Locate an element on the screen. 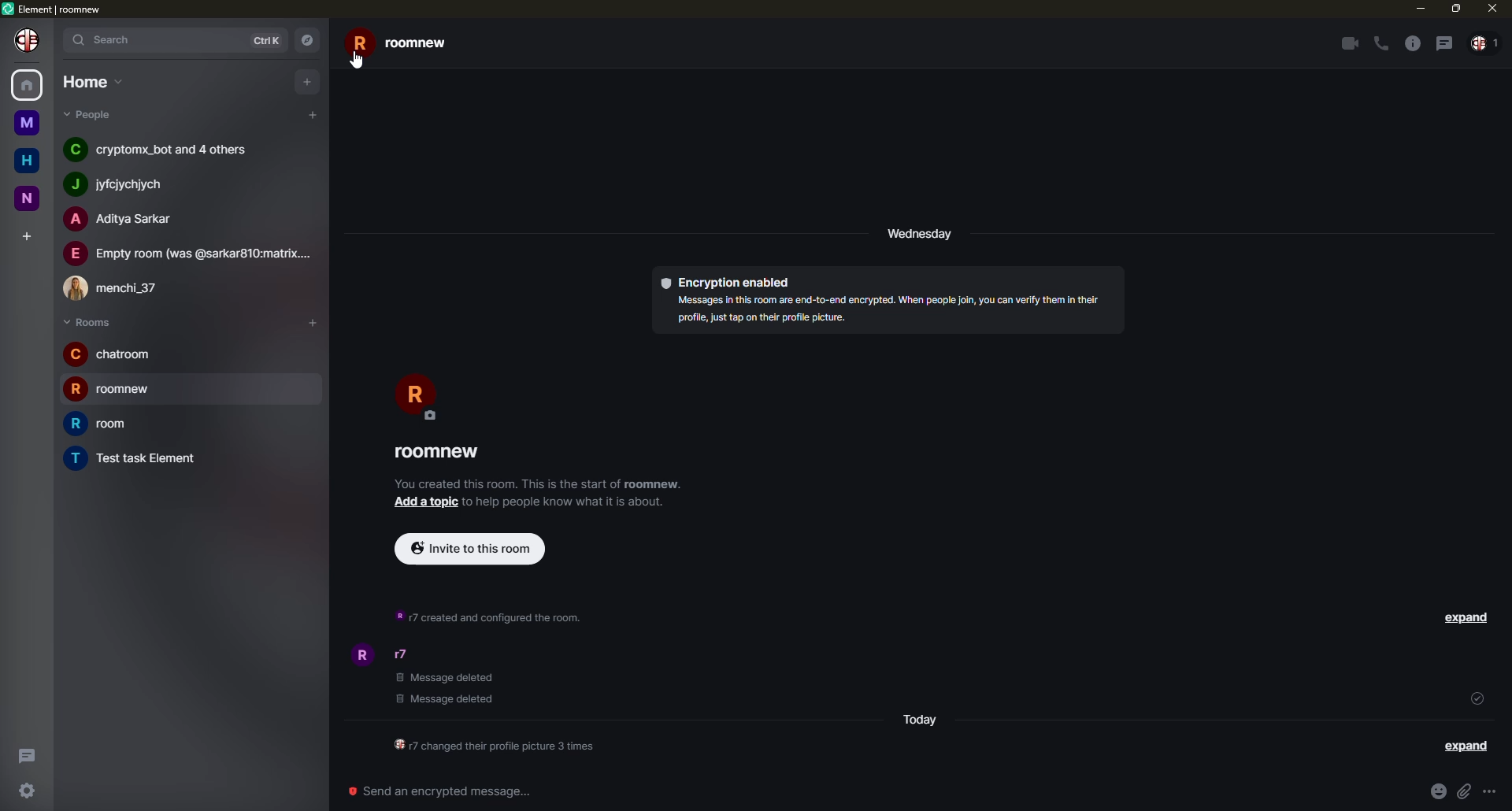 The height and width of the screenshot is (811, 1512). profile is located at coordinates (413, 394).